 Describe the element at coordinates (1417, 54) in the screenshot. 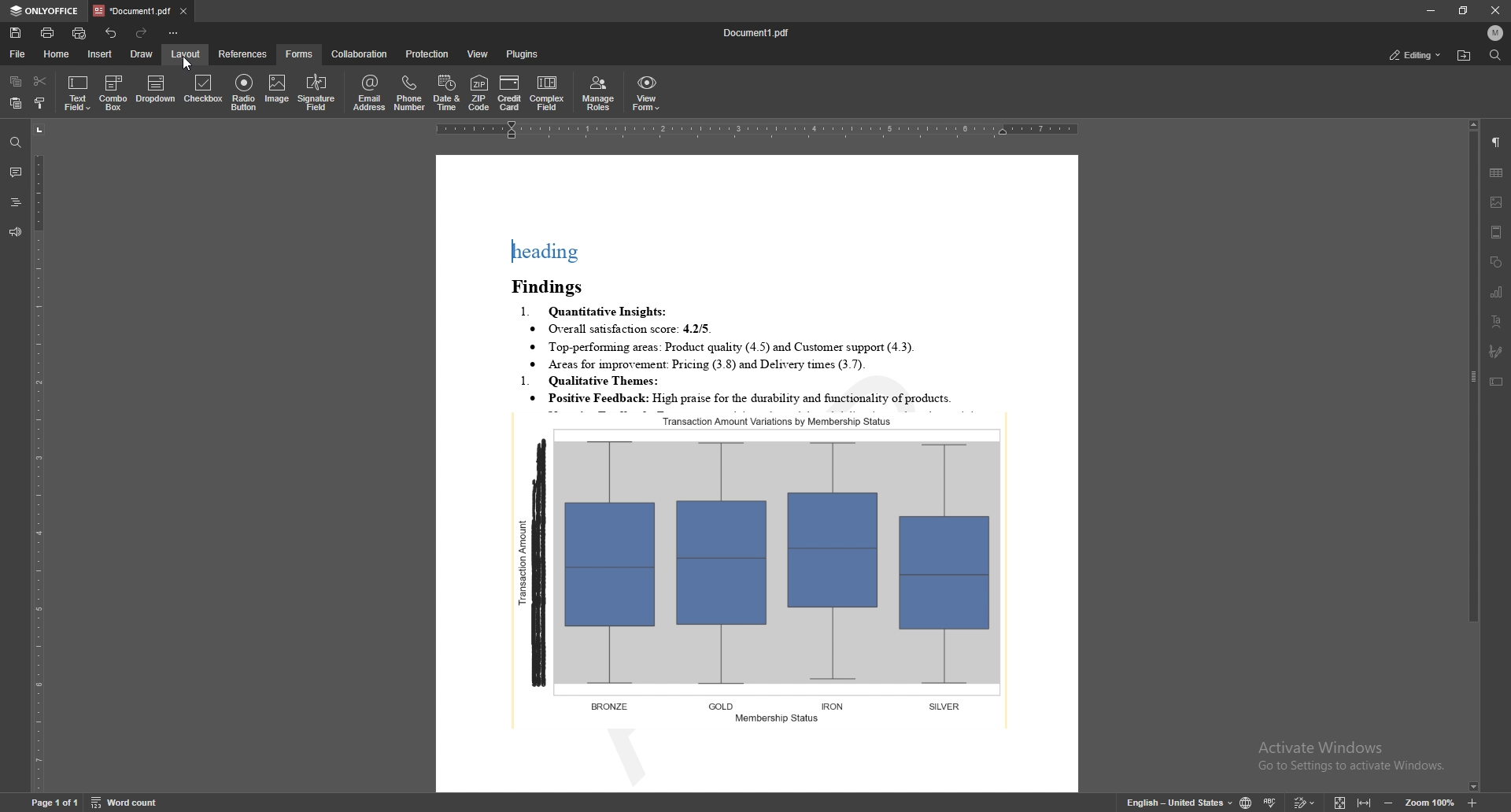

I see `status` at that location.